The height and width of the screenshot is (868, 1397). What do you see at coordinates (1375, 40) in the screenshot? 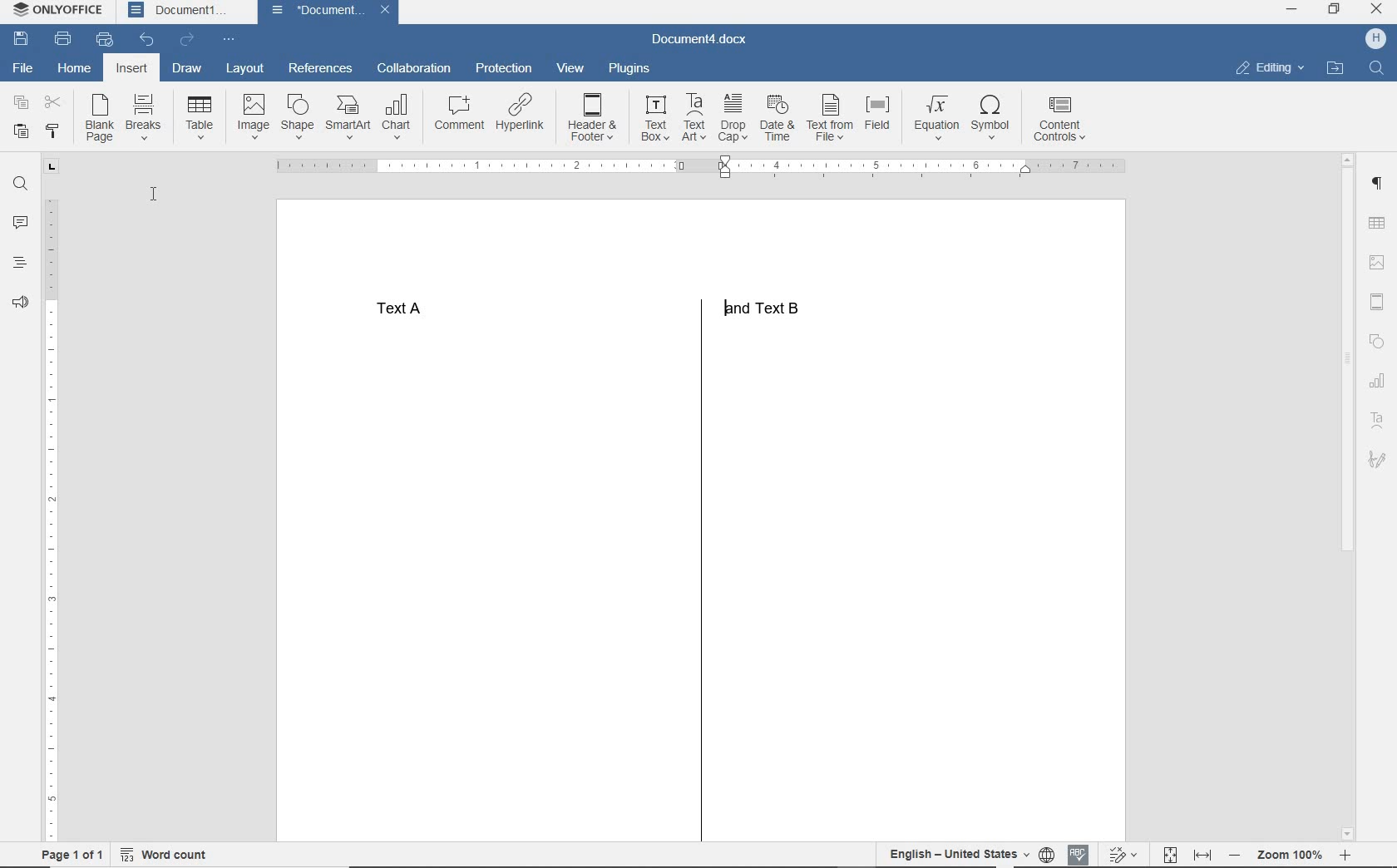
I see `HP` at bounding box center [1375, 40].